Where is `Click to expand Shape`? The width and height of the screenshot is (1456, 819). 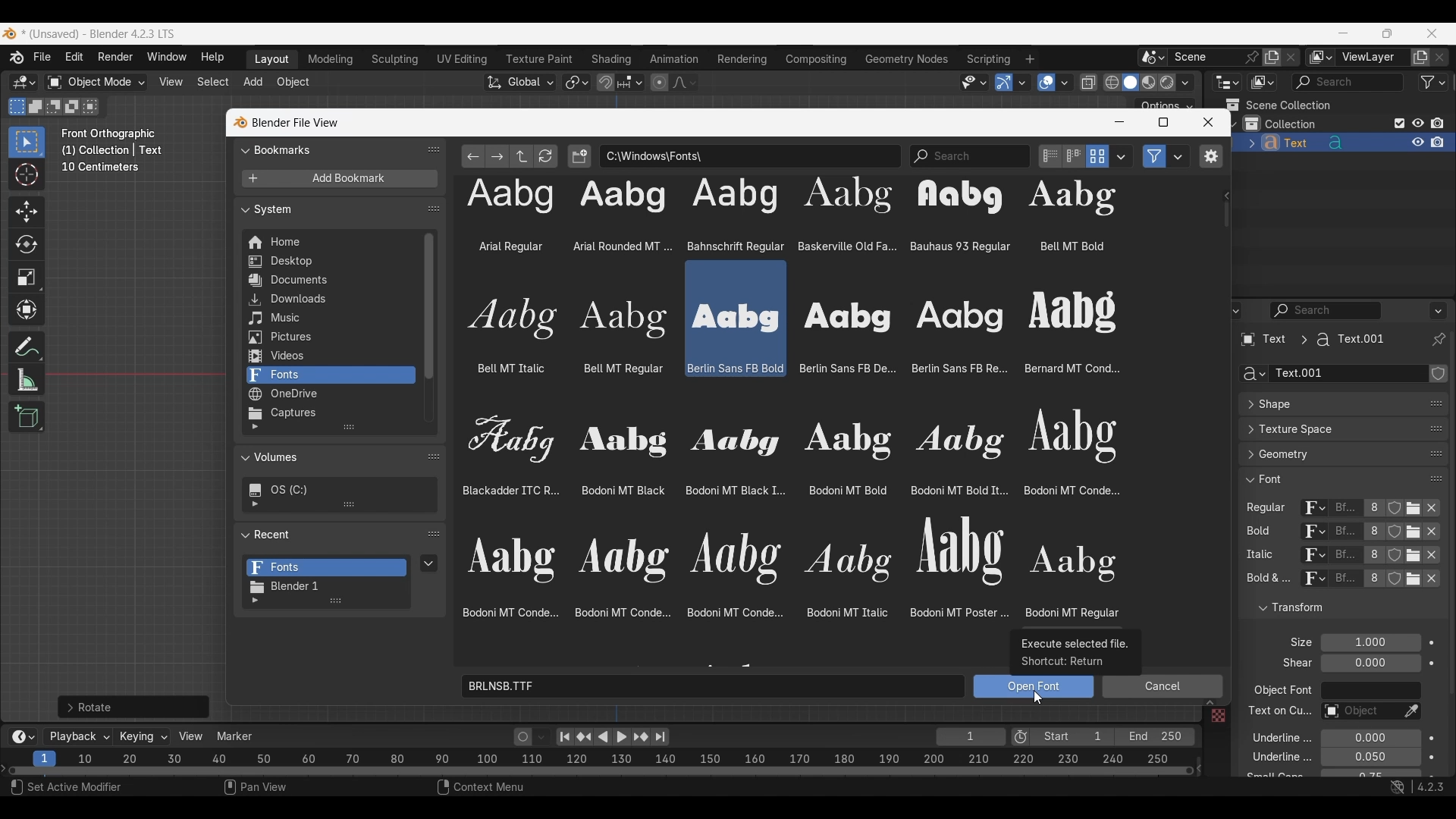
Click to expand Shape is located at coordinates (1327, 405).